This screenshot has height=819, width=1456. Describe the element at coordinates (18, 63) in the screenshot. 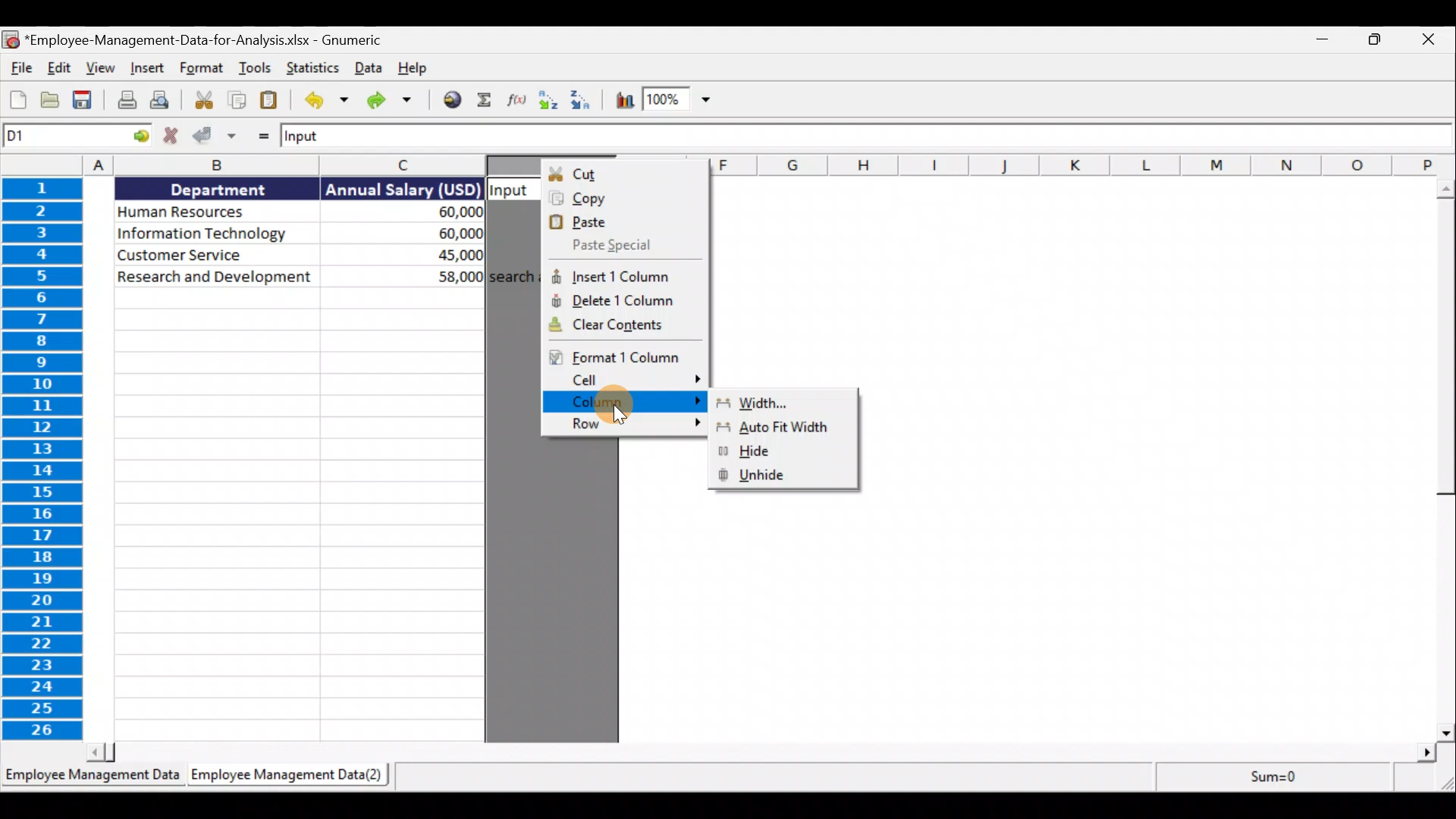

I see `File` at that location.